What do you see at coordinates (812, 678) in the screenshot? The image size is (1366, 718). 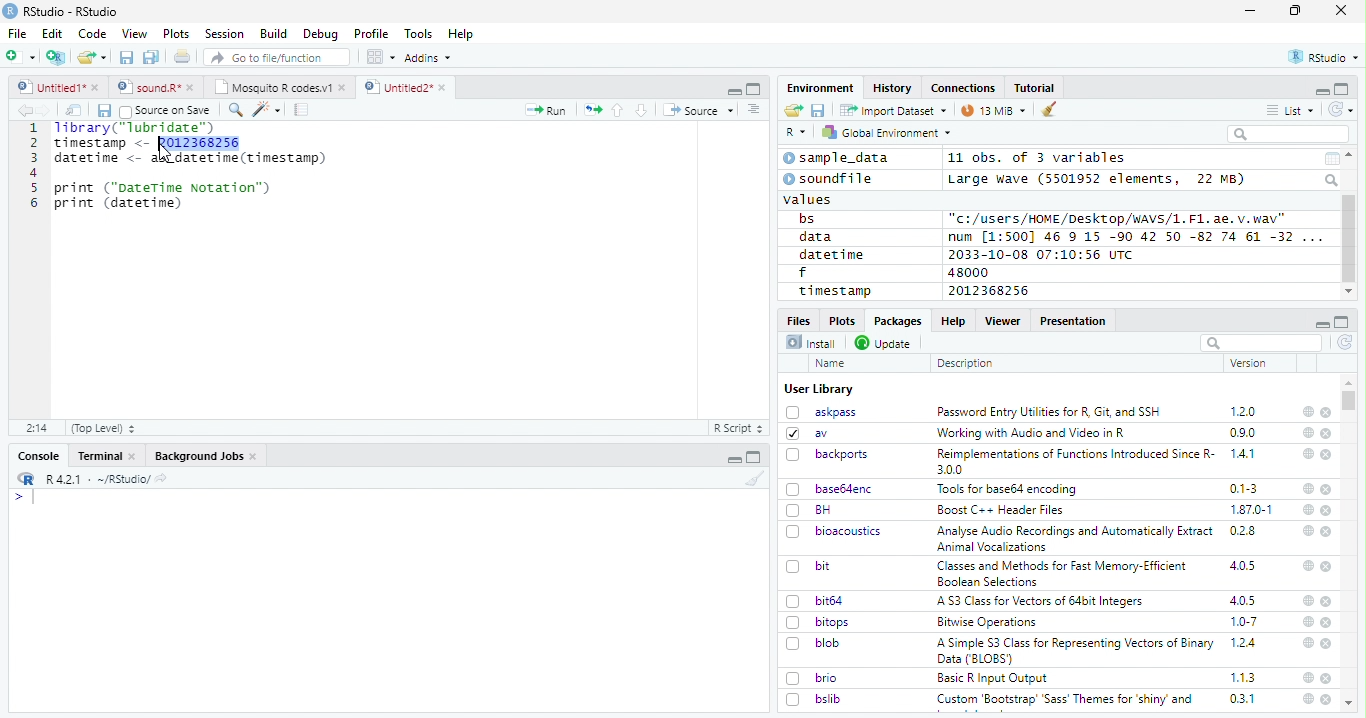 I see `brio` at bounding box center [812, 678].